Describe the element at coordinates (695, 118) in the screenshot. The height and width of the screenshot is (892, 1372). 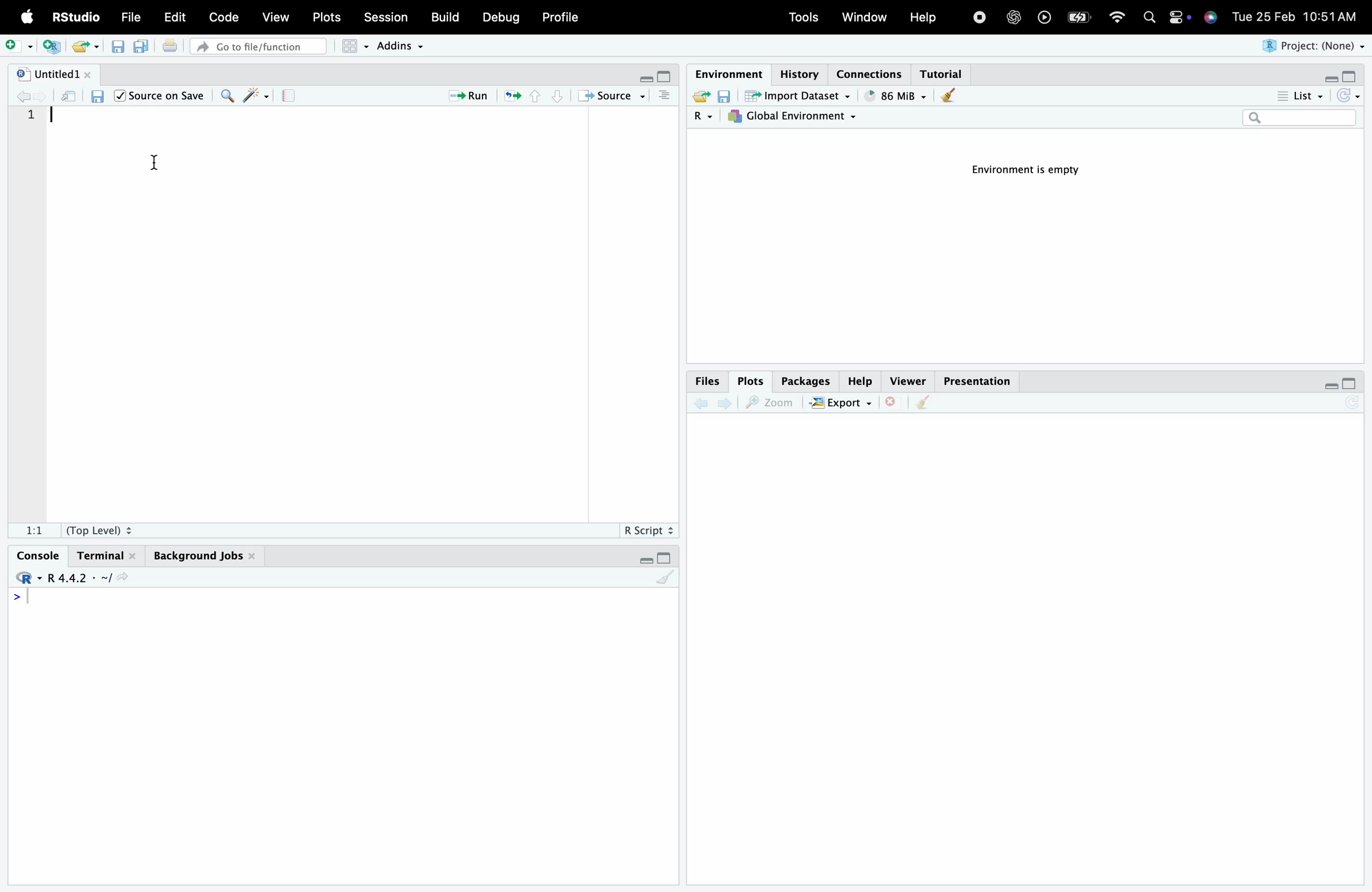
I see `R` at that location.